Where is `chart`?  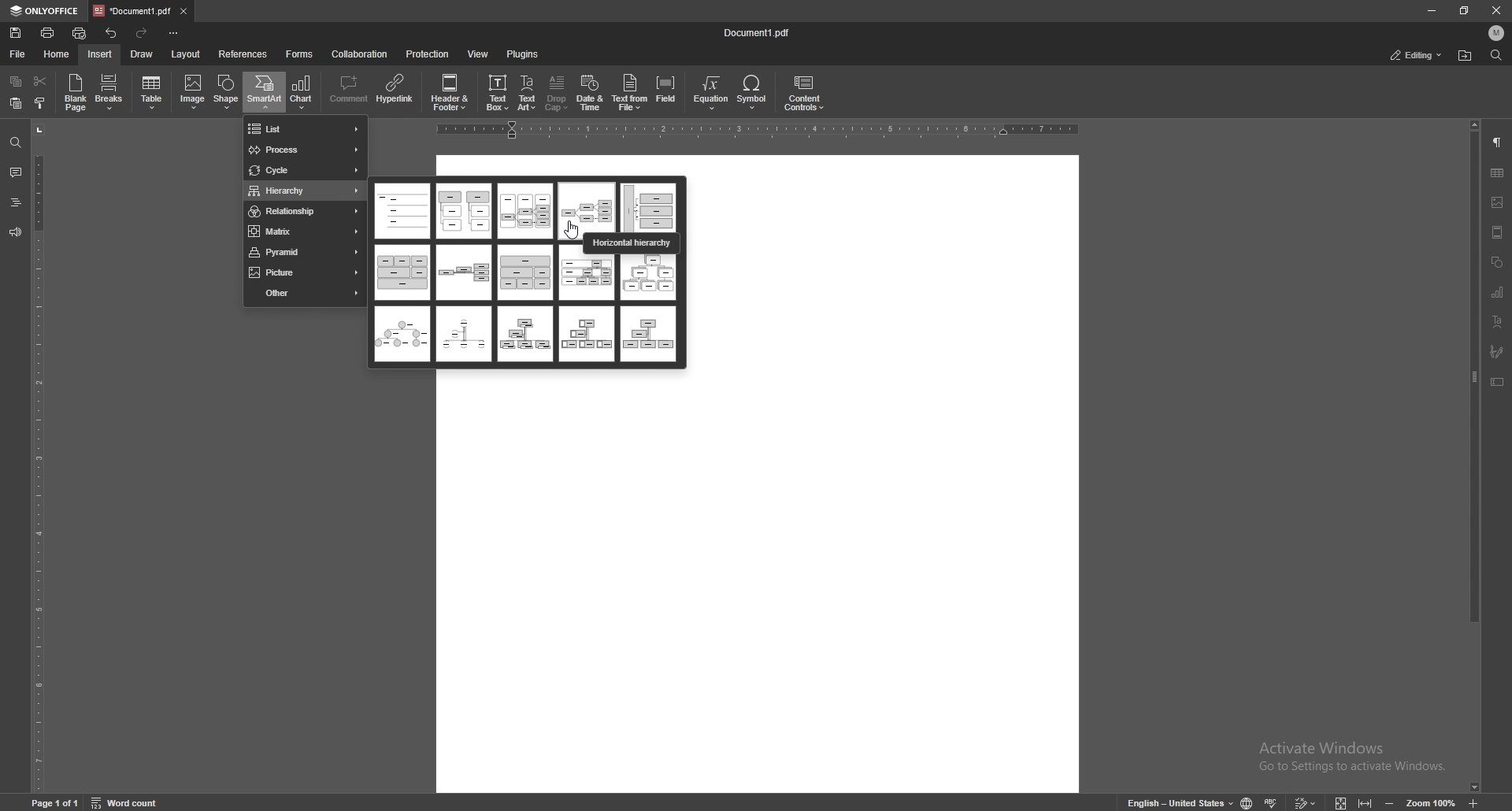 chart is located at coordinates (302, 92).